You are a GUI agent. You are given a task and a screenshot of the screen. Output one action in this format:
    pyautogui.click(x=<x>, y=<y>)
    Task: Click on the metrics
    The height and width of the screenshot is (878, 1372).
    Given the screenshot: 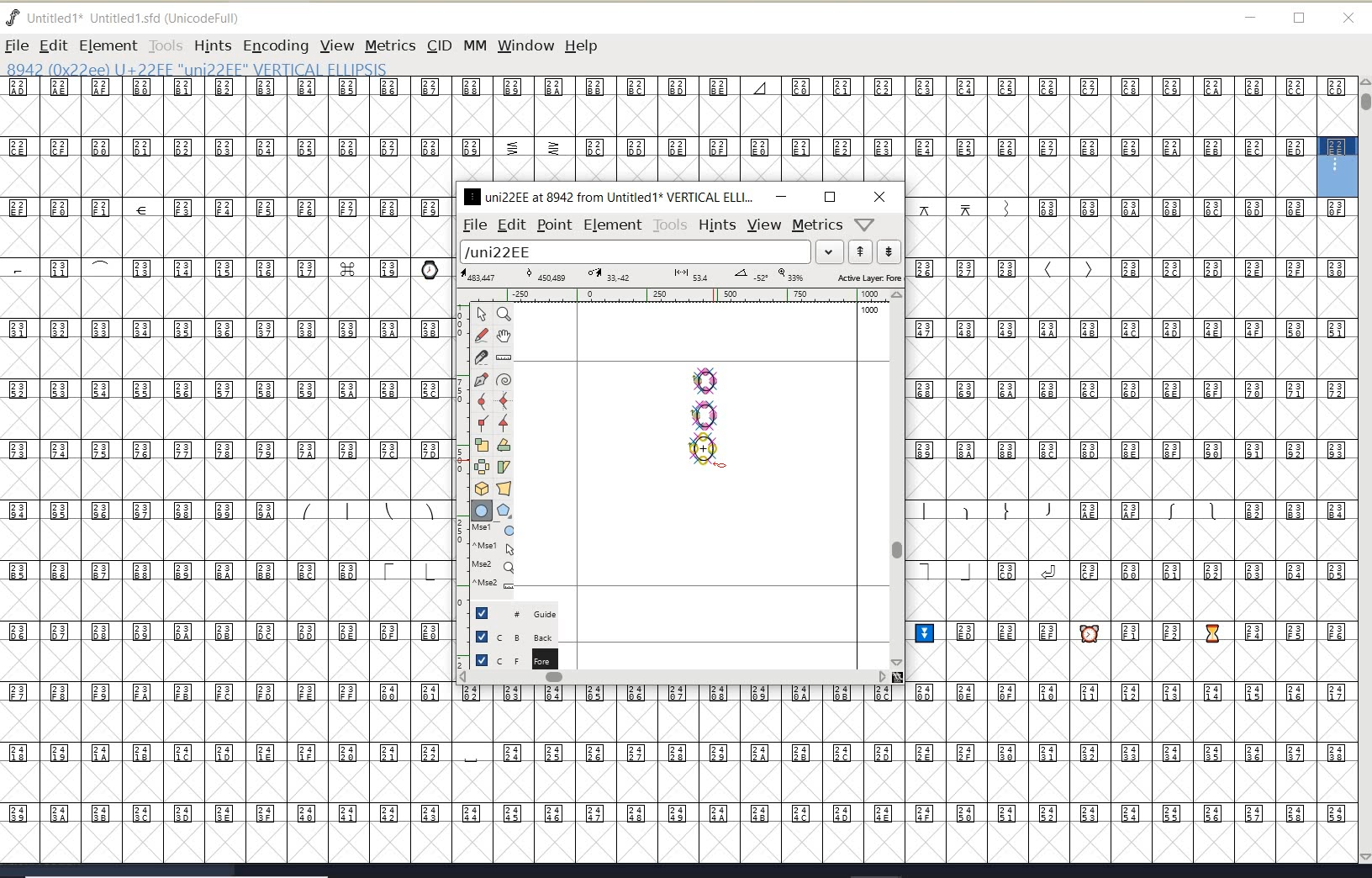 What is the action you would take?
    pyautogui.click(x=817, y=225)
    